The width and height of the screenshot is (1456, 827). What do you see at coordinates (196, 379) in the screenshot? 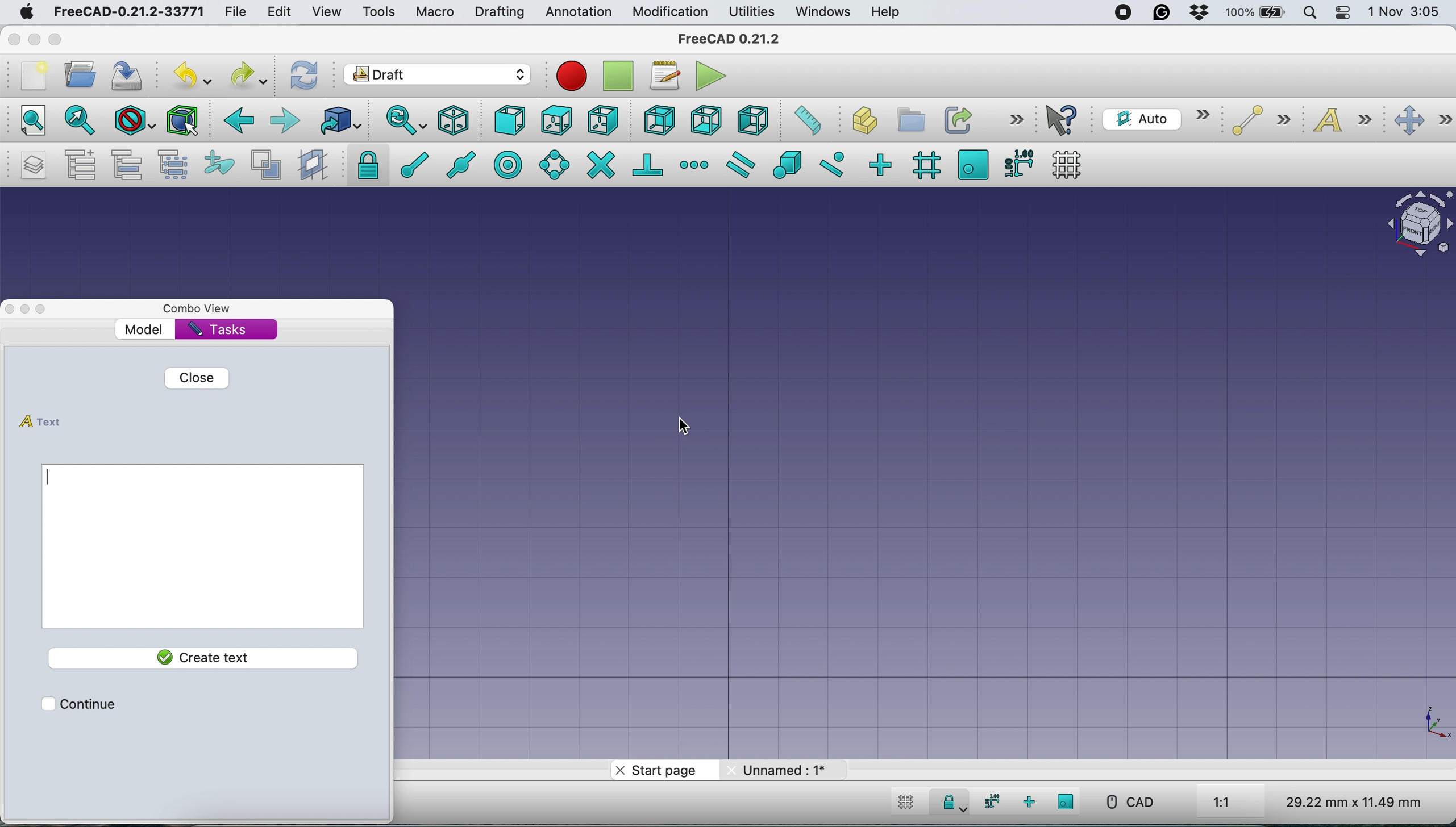
I see `close` at bounding box center [196, 379].